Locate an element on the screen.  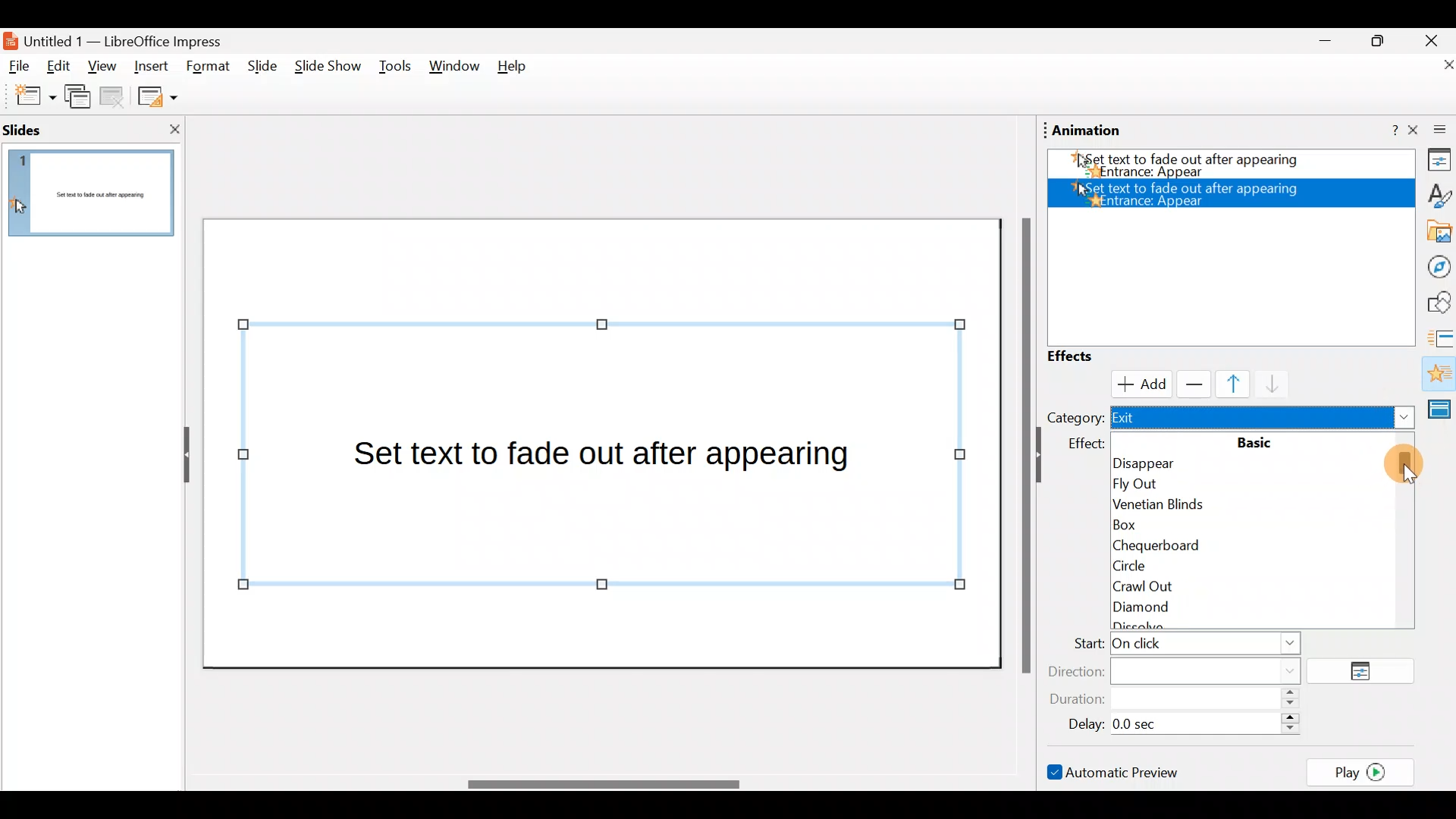
Start is located at coordinates (1182, 645).